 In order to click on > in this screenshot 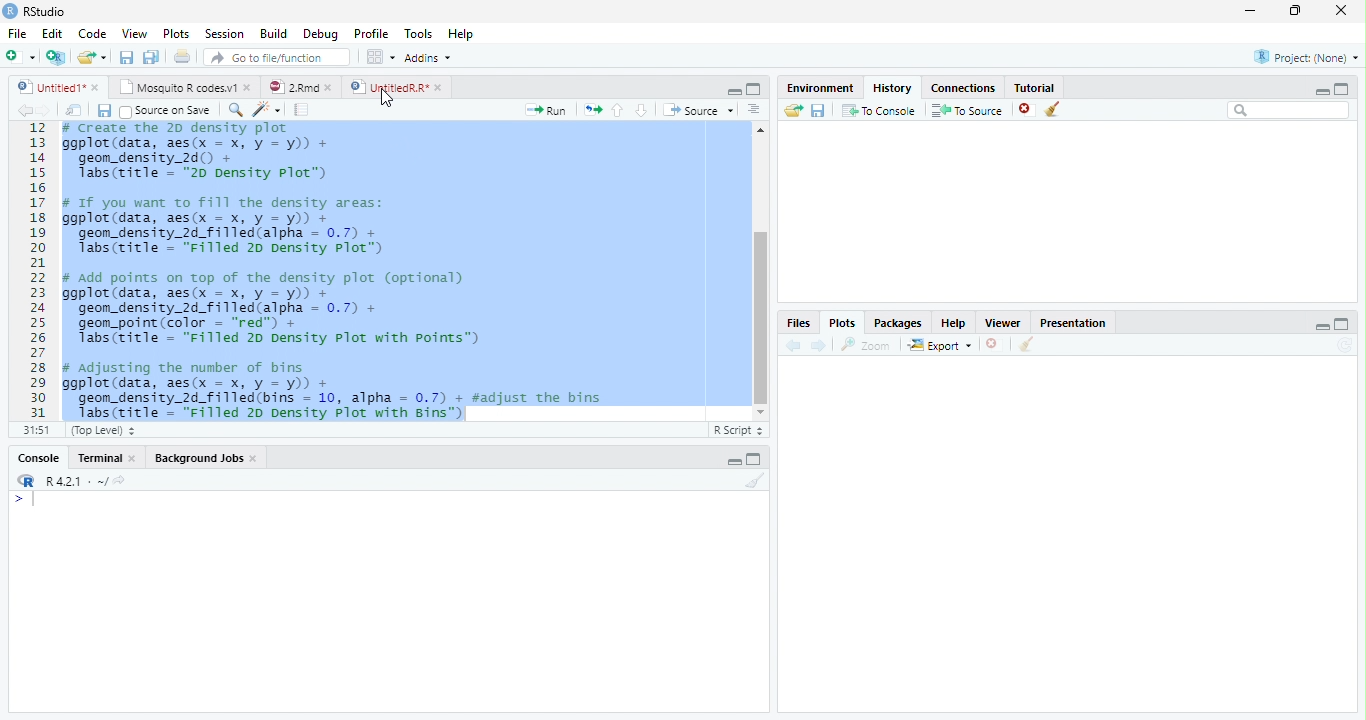, I will do `click(24, 500)`.